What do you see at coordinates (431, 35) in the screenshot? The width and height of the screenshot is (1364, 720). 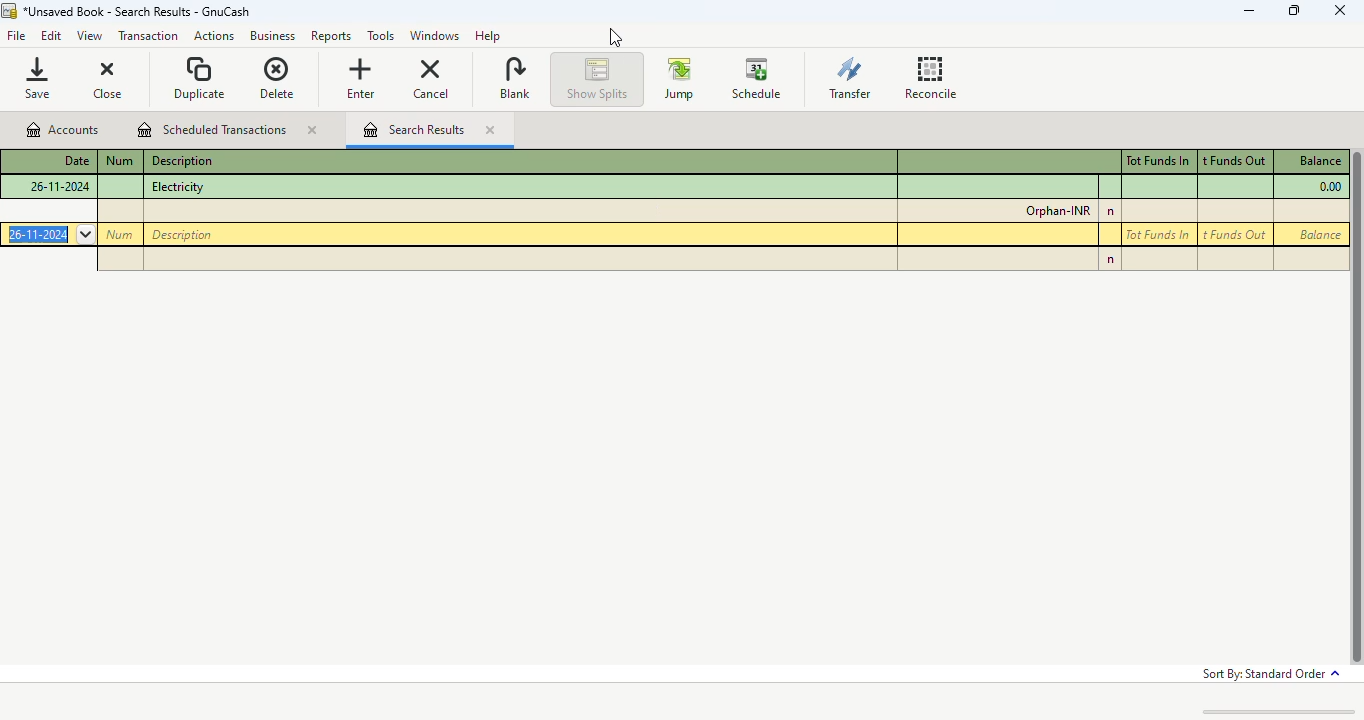 I see `windows` at bounding box center [431, 35].